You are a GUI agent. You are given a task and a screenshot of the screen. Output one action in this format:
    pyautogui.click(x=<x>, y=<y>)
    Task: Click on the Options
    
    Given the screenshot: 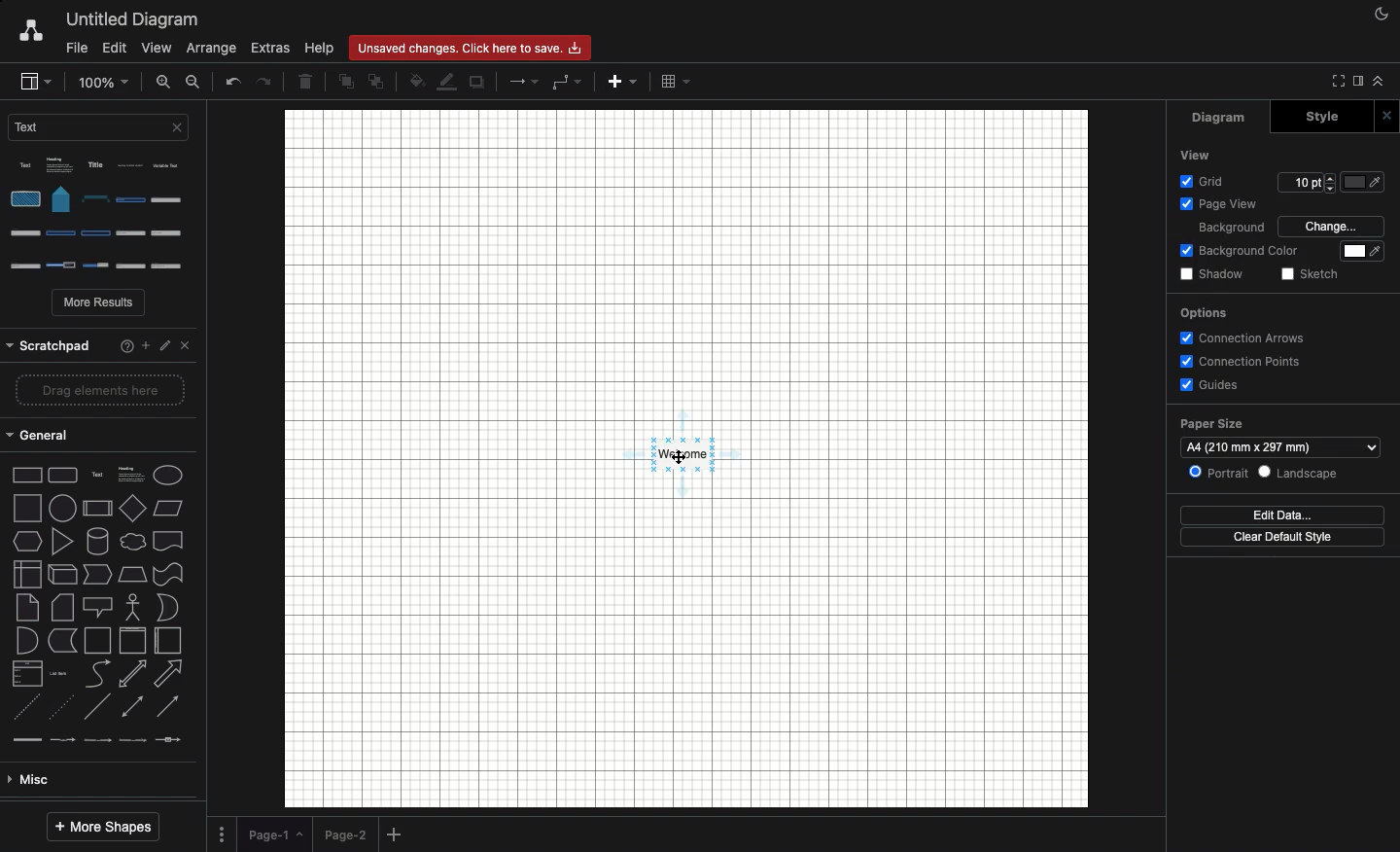 What is the action you would take?
    pyautogui.click(x=104, y=216)
    